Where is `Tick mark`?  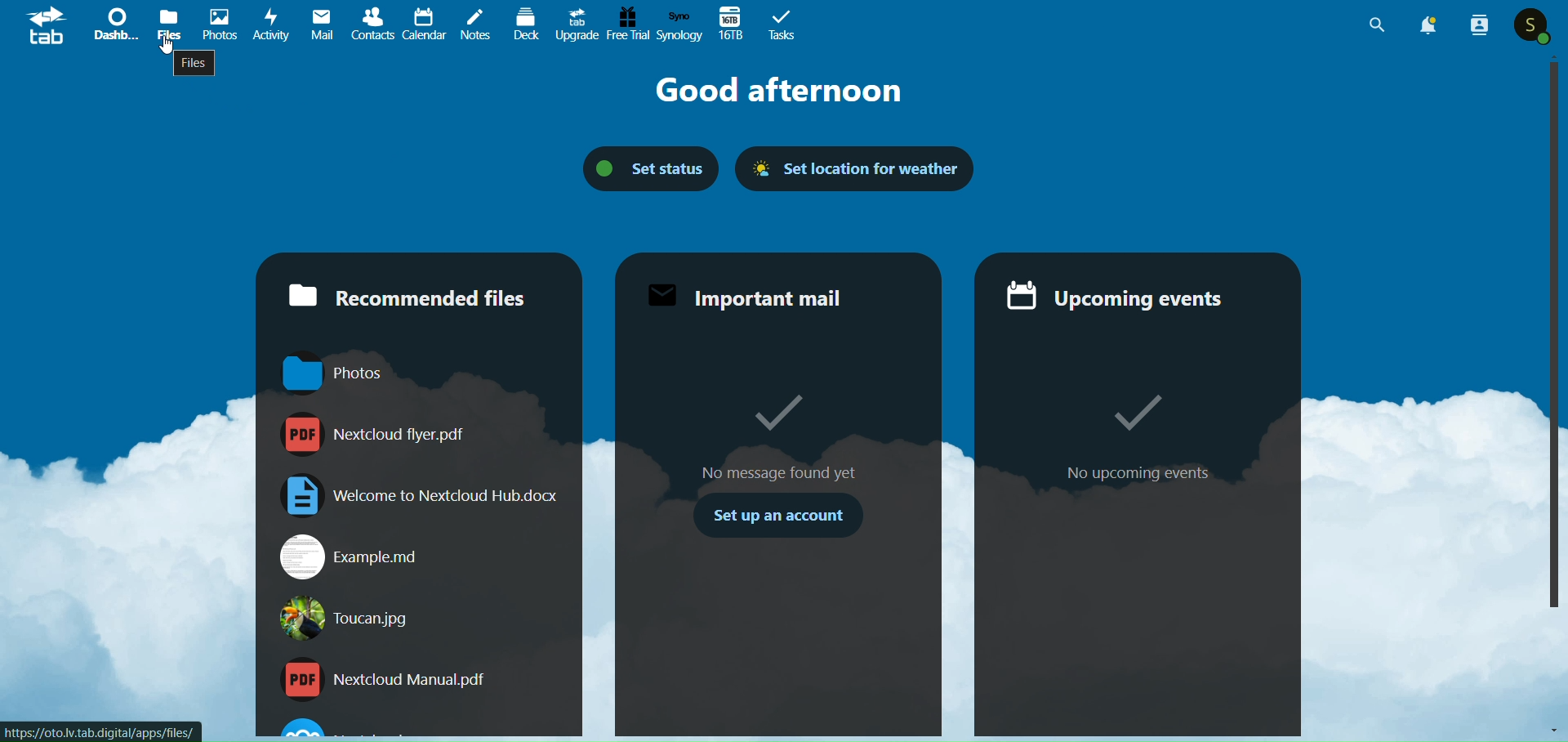 Tick mark is located at coordinates (777, 411).